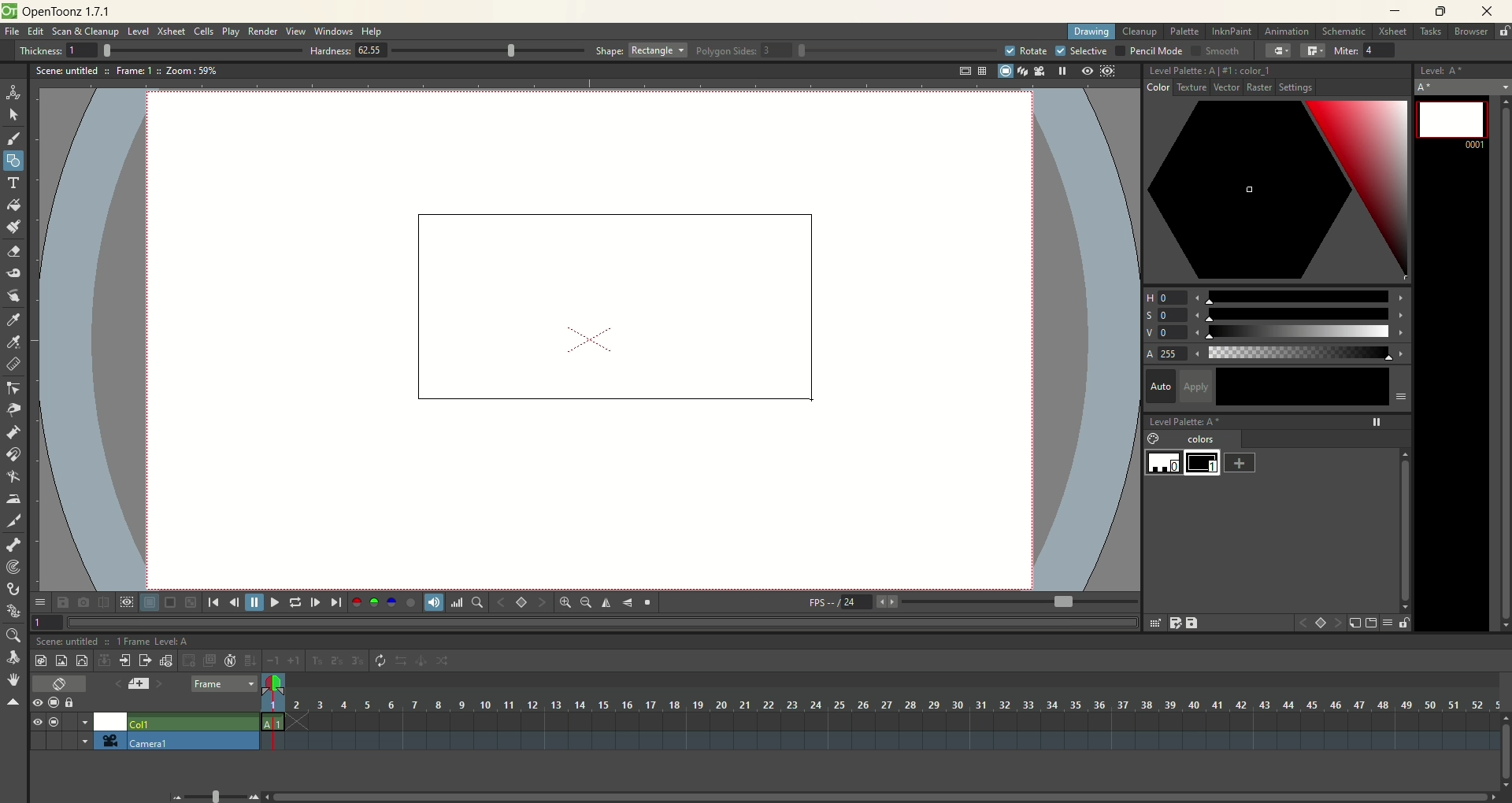  What do you see at coordinates (1062, 602) in the screenshot?
I see `set the playback frame rate` at bounding box center [1062, 602].